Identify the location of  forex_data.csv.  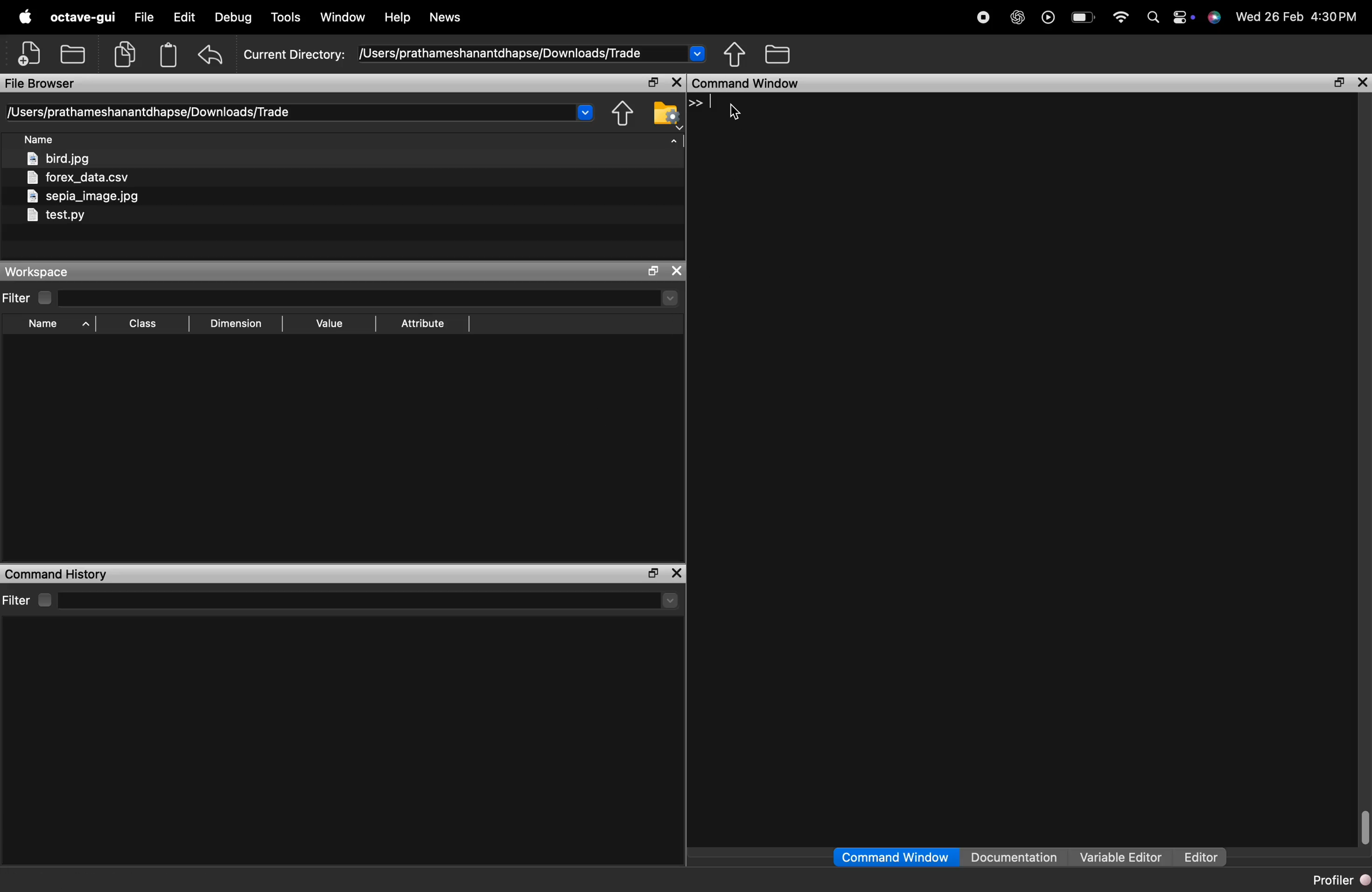
(77, 177).